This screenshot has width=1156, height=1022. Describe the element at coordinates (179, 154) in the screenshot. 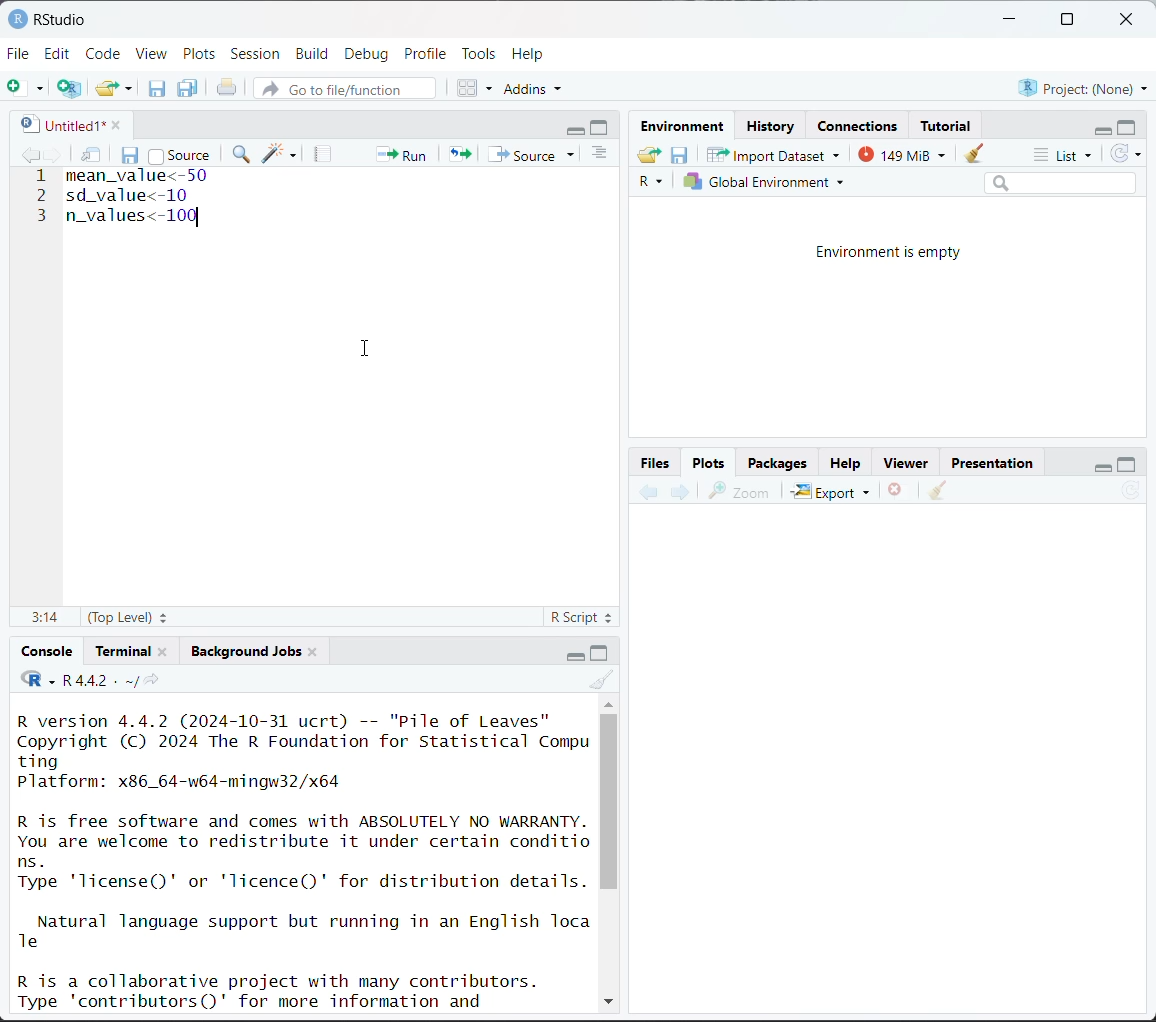

I see `source` at that location.